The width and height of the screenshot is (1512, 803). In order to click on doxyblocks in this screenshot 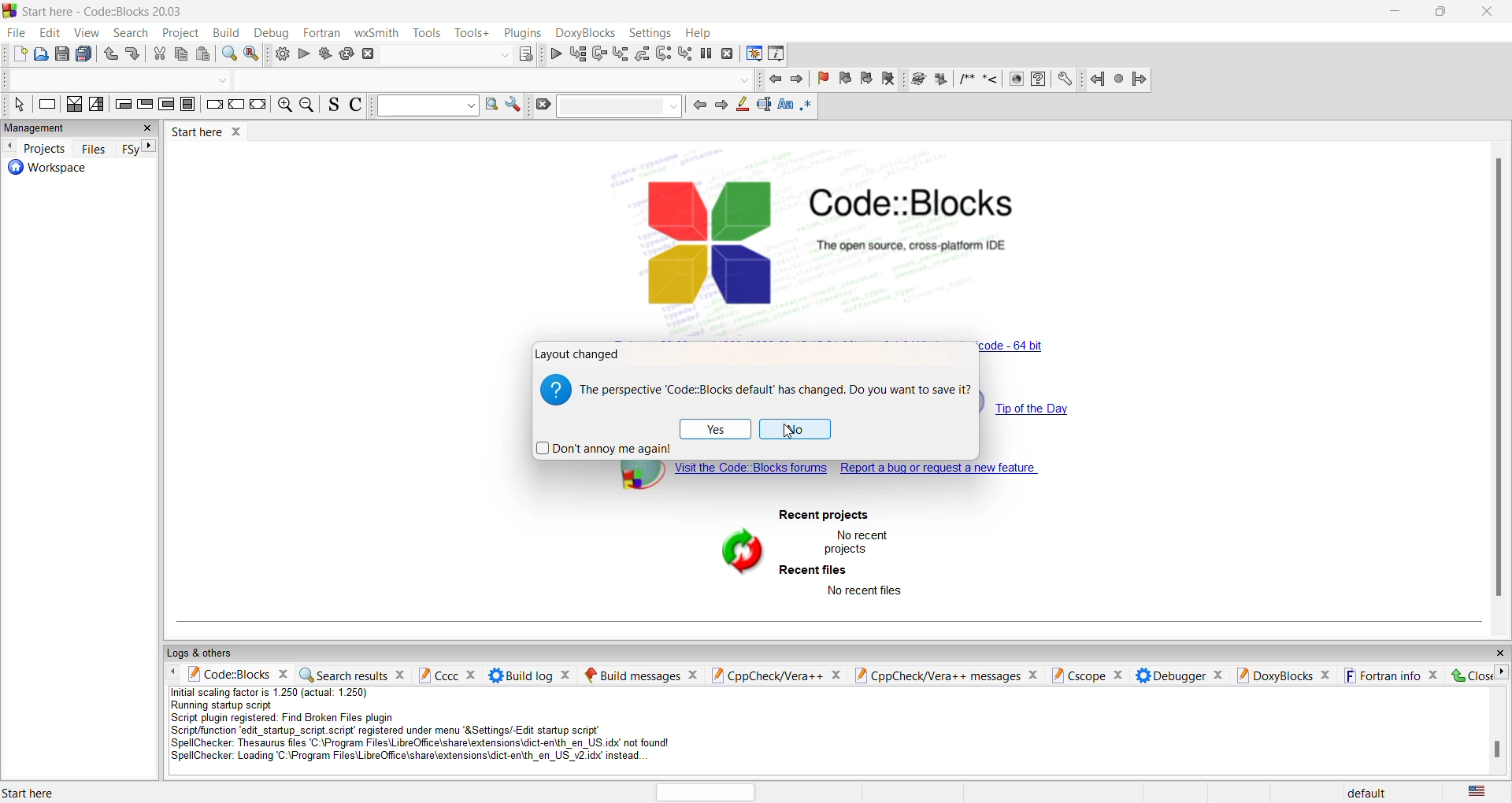, I will do `click(1273, 675)`.